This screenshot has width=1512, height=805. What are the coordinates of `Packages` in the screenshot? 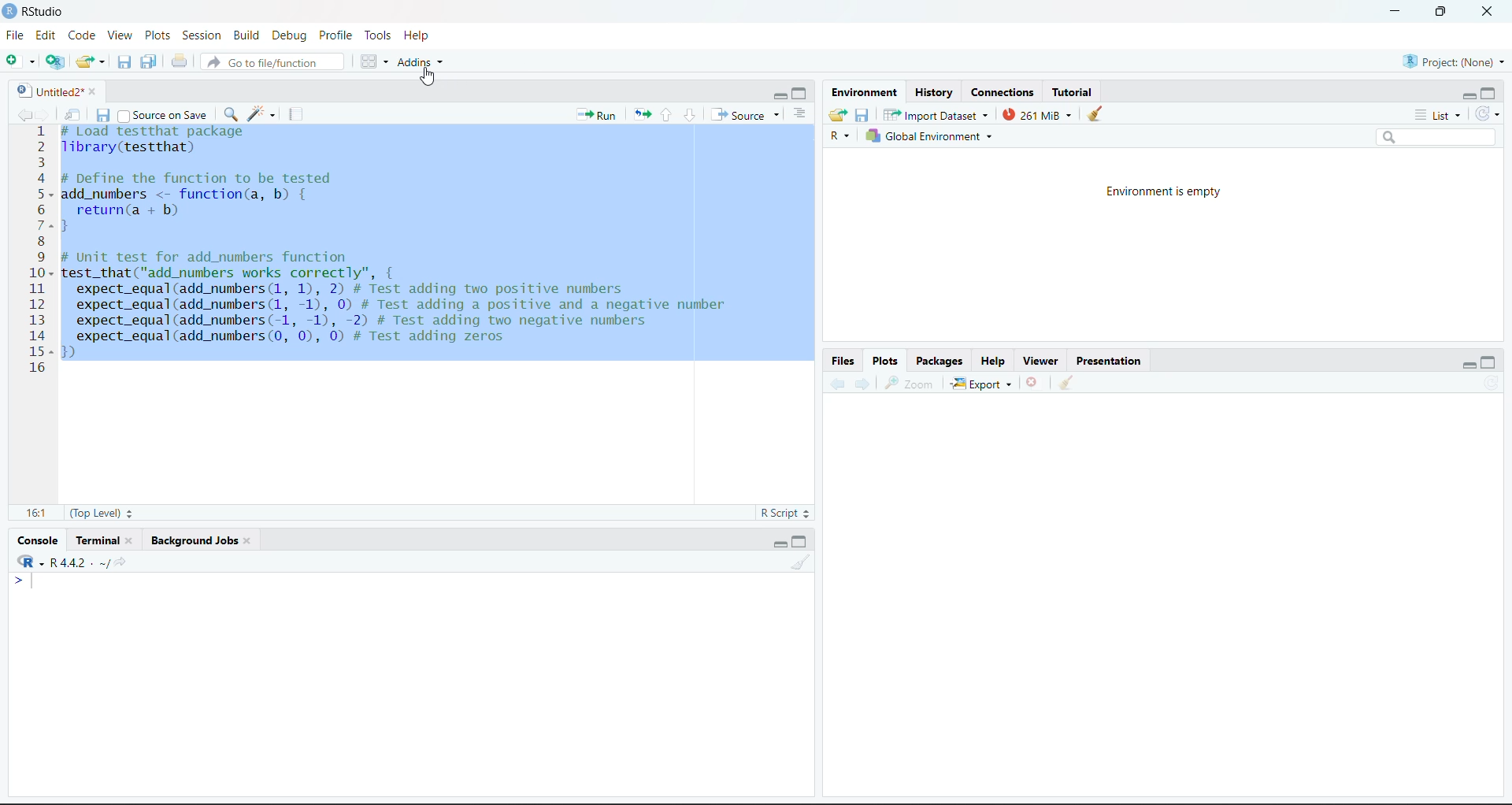 It's located at (939, 362).